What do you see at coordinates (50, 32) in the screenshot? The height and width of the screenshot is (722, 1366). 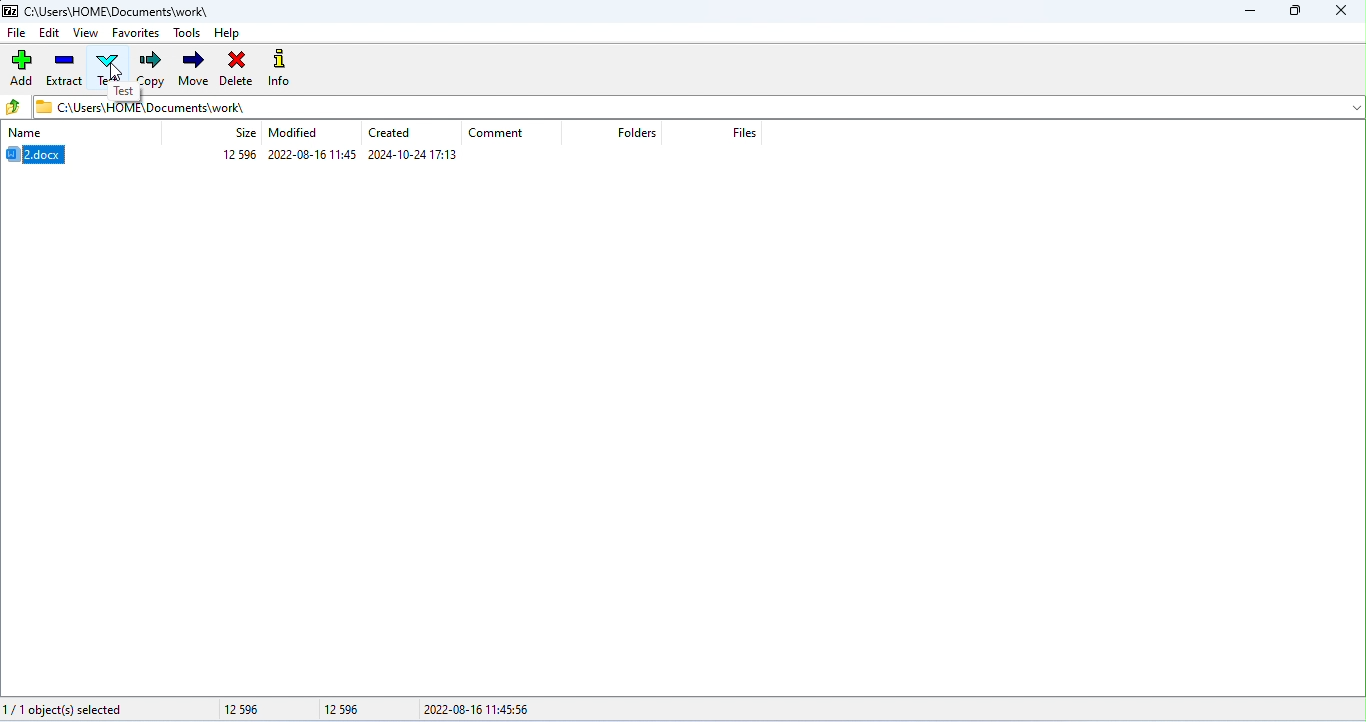 I see `edit` at bounding box center [50, 32].